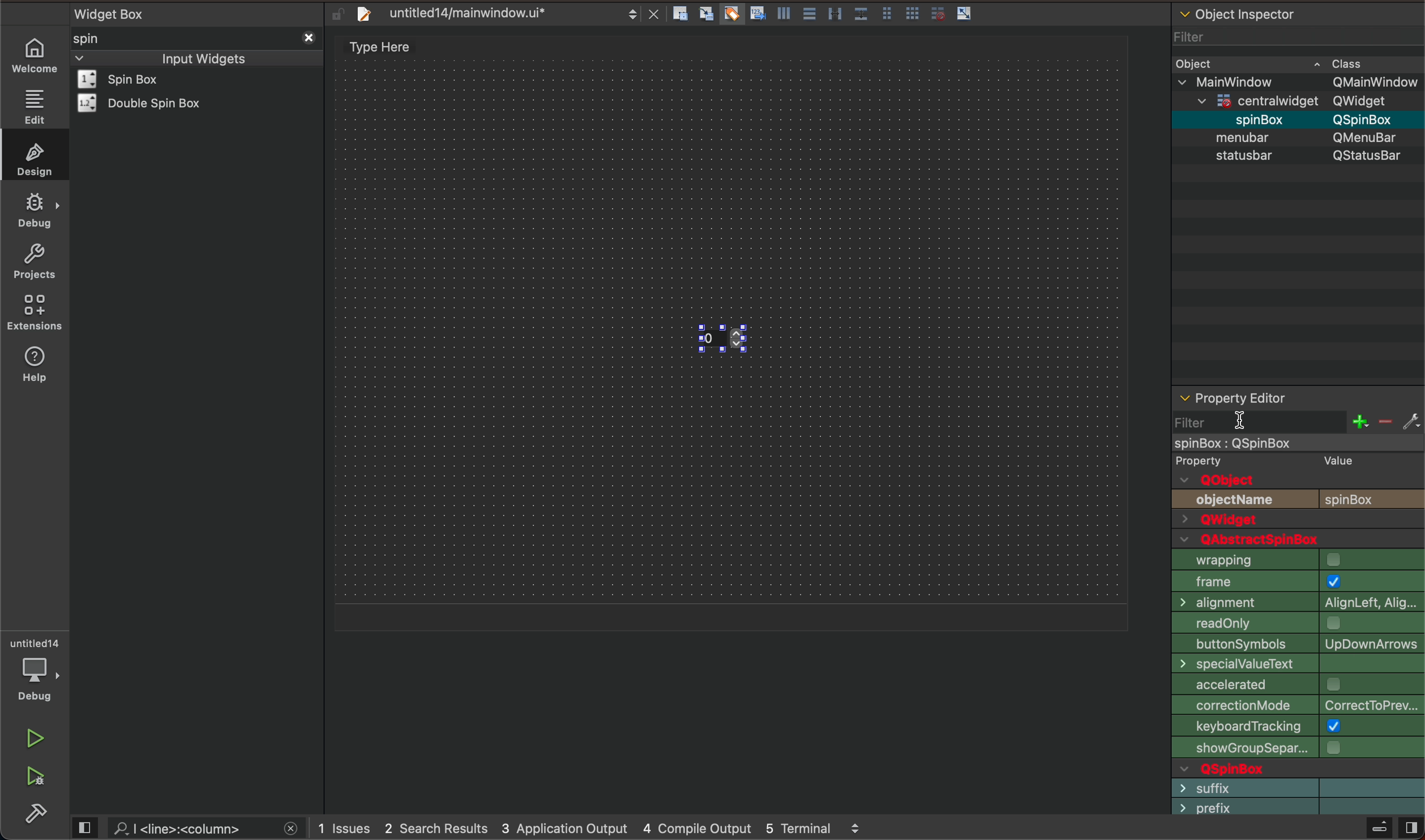 The width and height of the screenshot is (1425, 840). What do you see at coordinates (1373, 499) in the screenshot?
I see `text` at bounding box center [1373, 499].